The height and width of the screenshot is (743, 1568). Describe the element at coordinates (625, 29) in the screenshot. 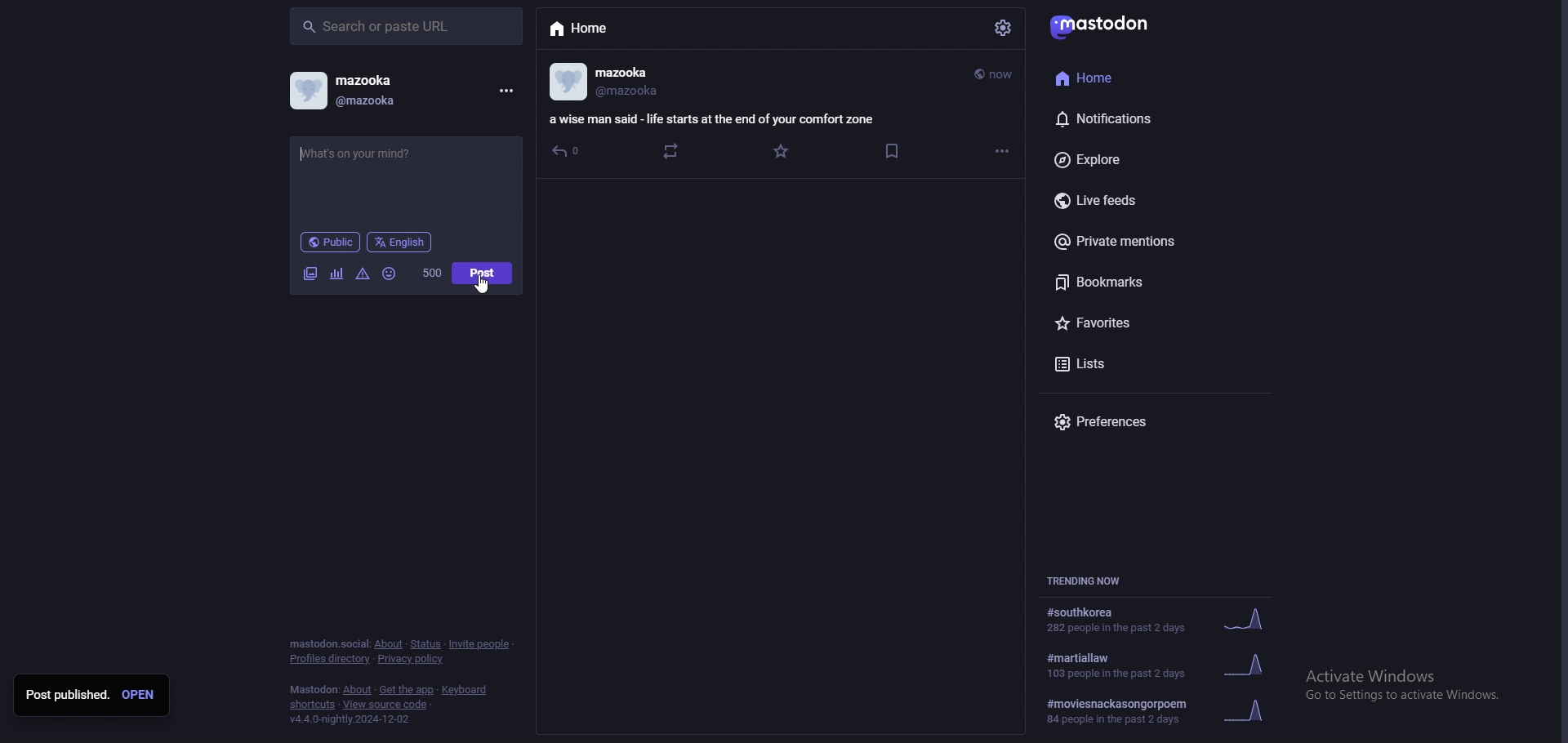

I see `home` at that location.